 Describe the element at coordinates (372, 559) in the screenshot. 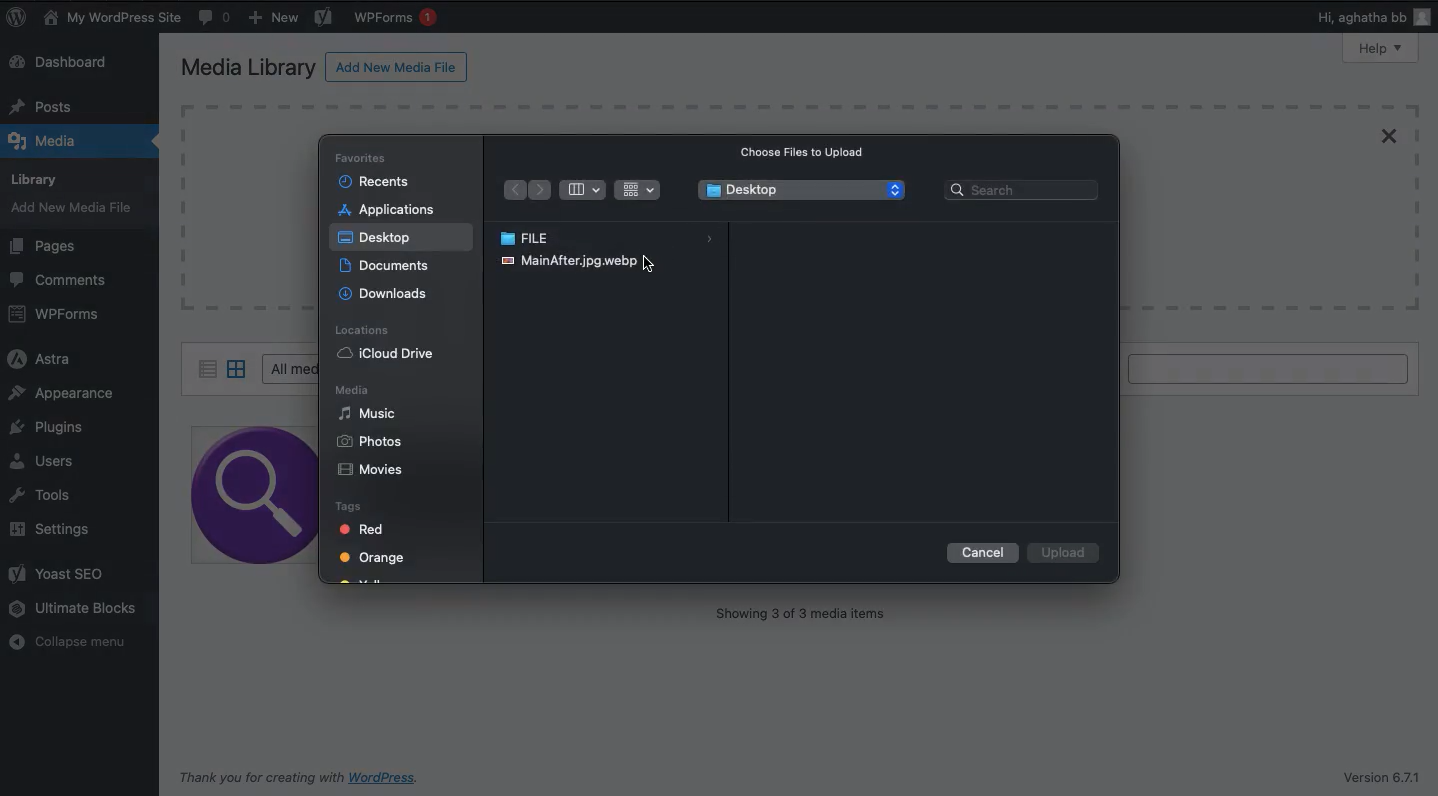

I see `Orange` at that location.